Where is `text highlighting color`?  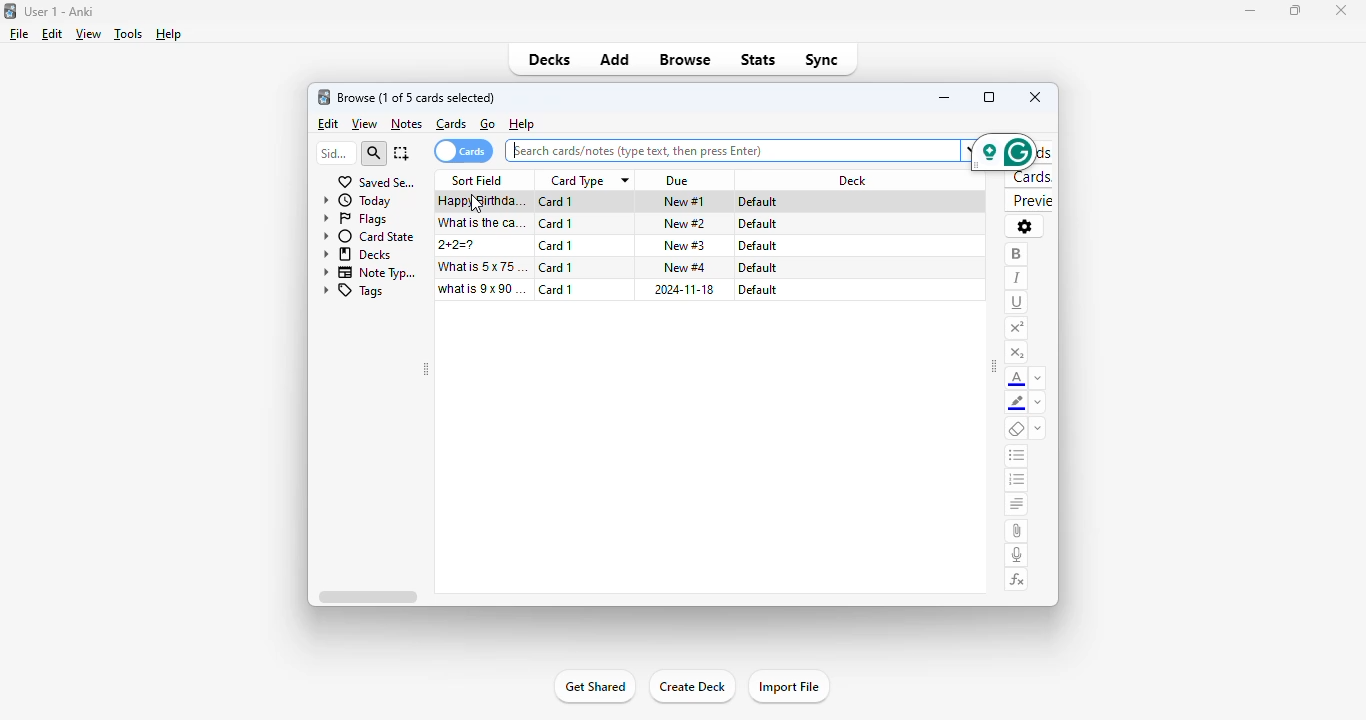 text highlighting color is located at coordinates (1017, 404).